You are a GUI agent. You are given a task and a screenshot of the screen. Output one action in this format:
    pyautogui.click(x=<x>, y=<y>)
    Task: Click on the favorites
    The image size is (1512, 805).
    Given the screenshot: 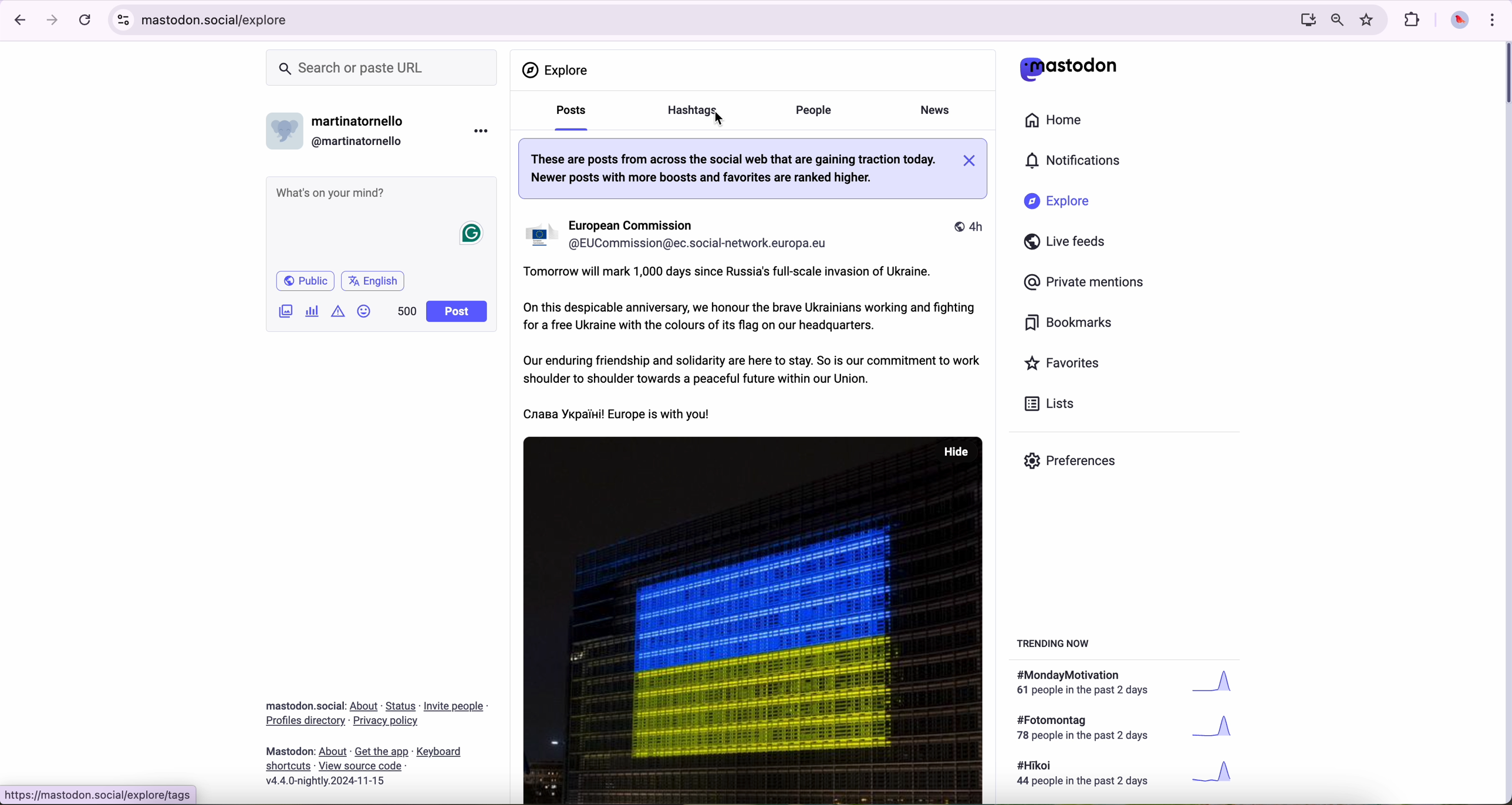 What is the action you would take?
    pyautogui.click(x=1368, y=19)
    